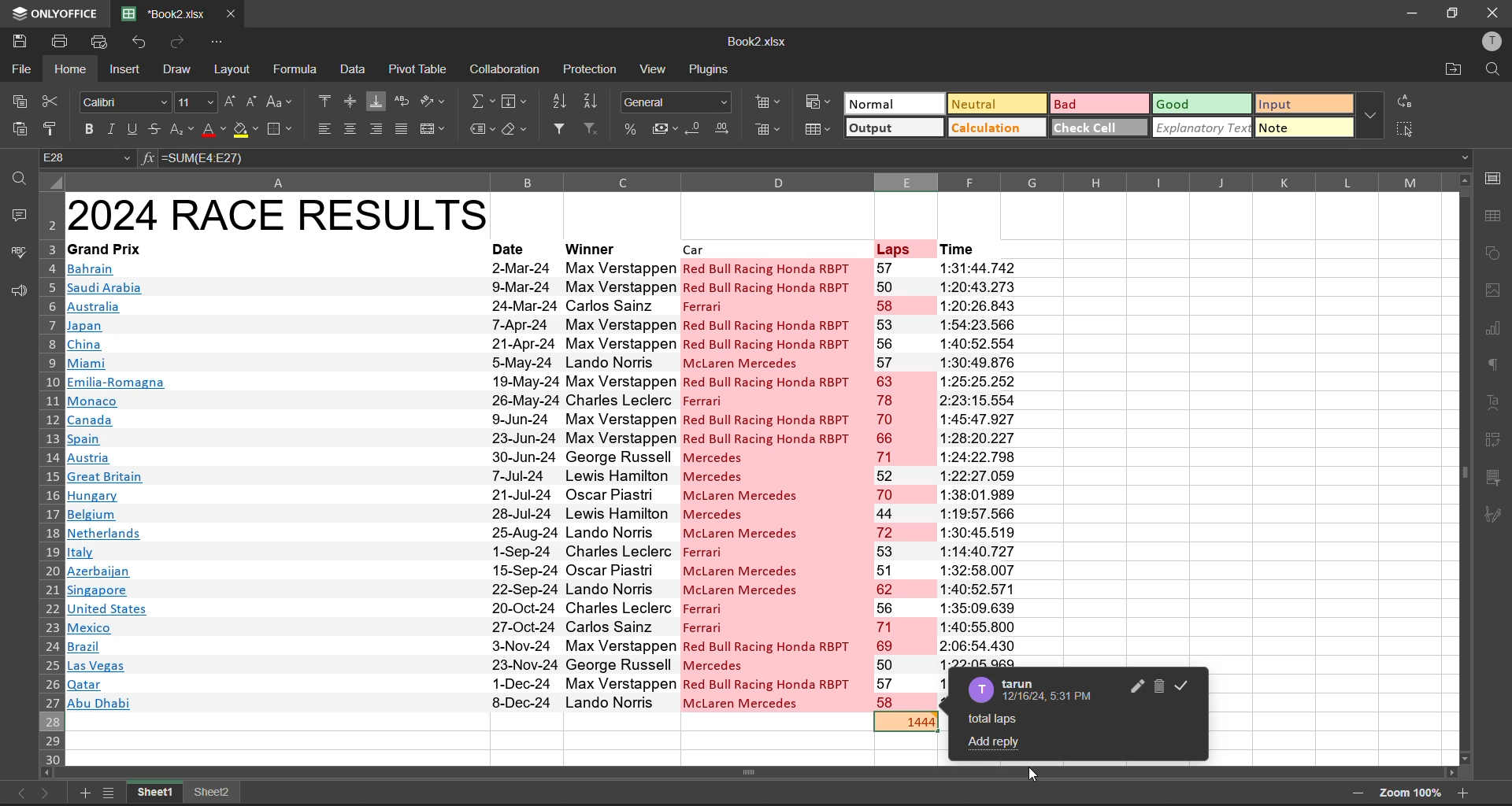 The height and width of the screenshot is (806, 1512). I want to click on scrollbar, so click(755, 771).